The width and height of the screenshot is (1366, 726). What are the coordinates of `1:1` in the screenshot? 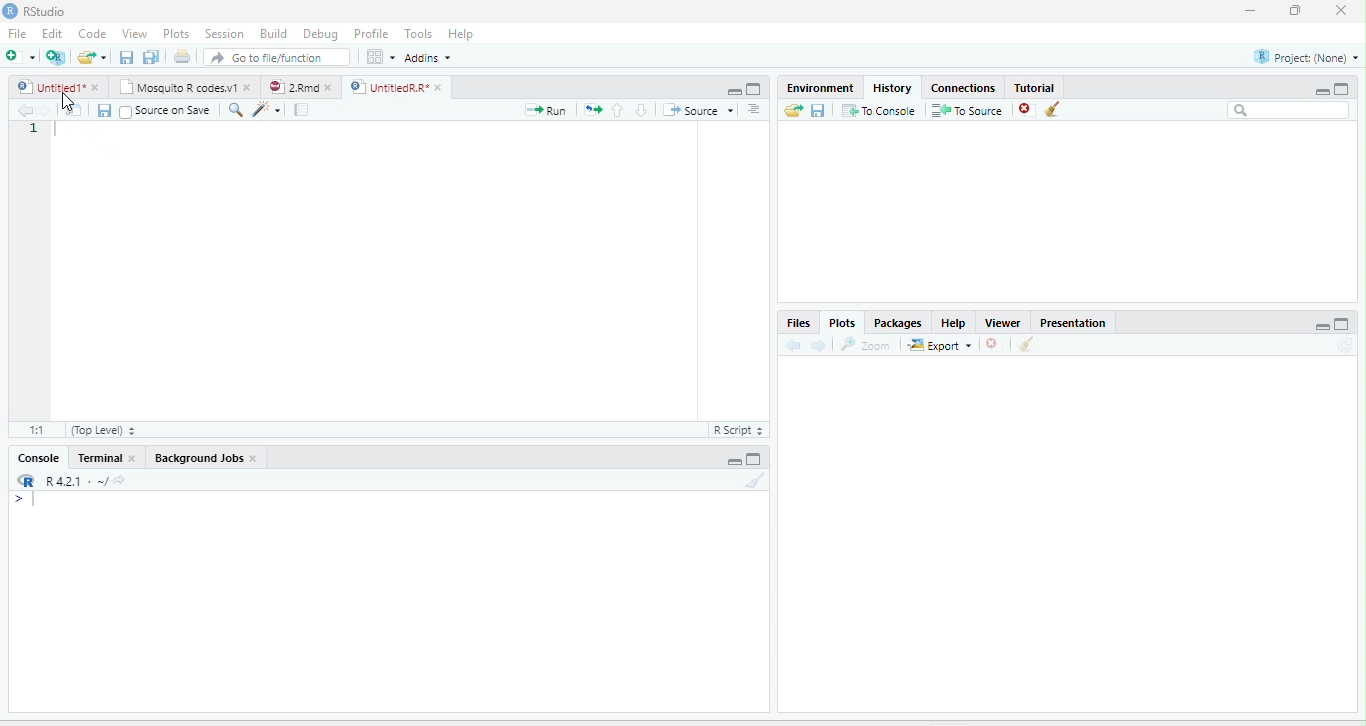 It's located at (35, 430).